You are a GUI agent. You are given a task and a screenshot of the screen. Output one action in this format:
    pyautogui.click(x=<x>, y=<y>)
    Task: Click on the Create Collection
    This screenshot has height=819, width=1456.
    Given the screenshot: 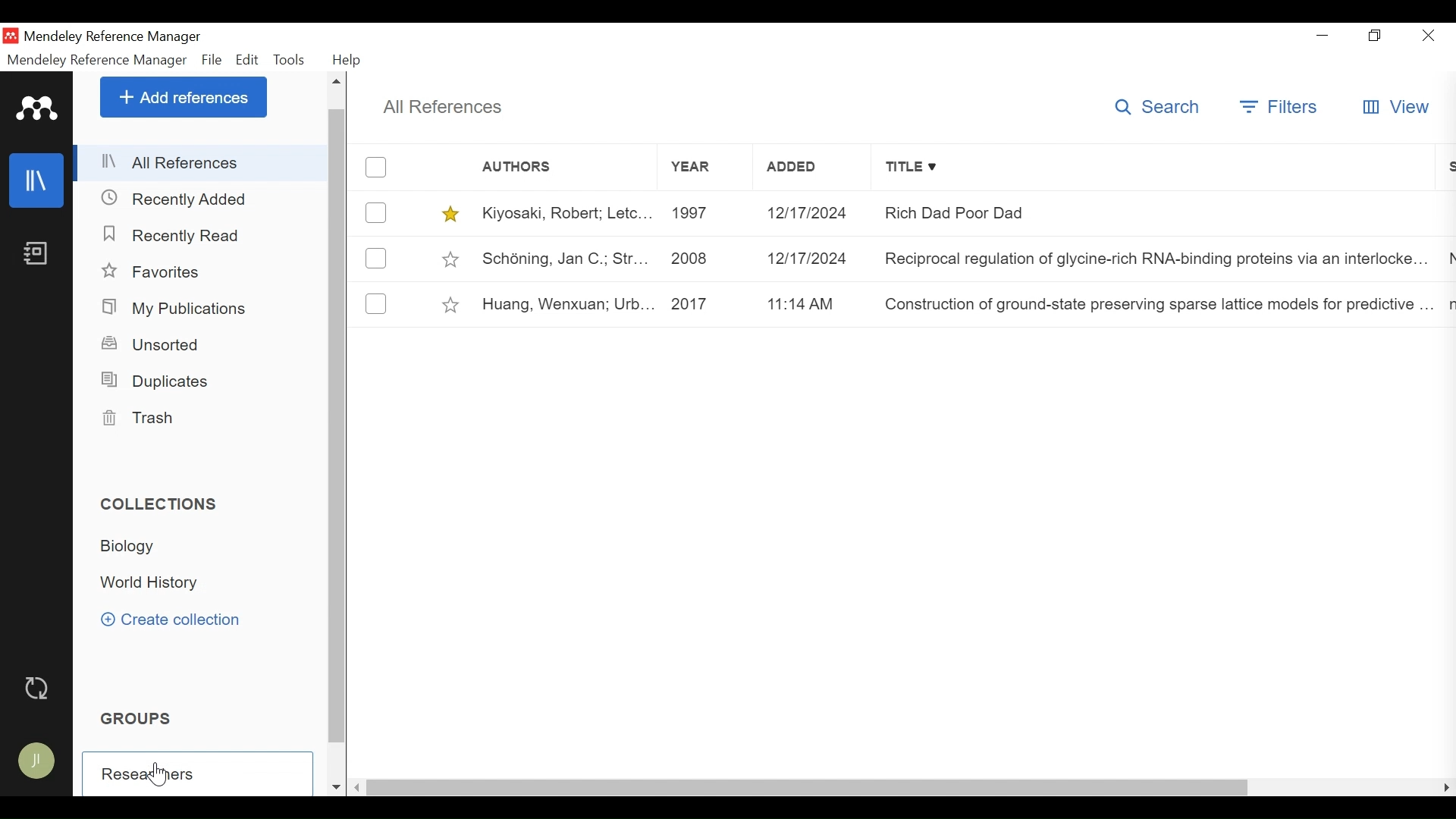 What is the action you would take?
    pyautogui.click(x=171, y=618)
    